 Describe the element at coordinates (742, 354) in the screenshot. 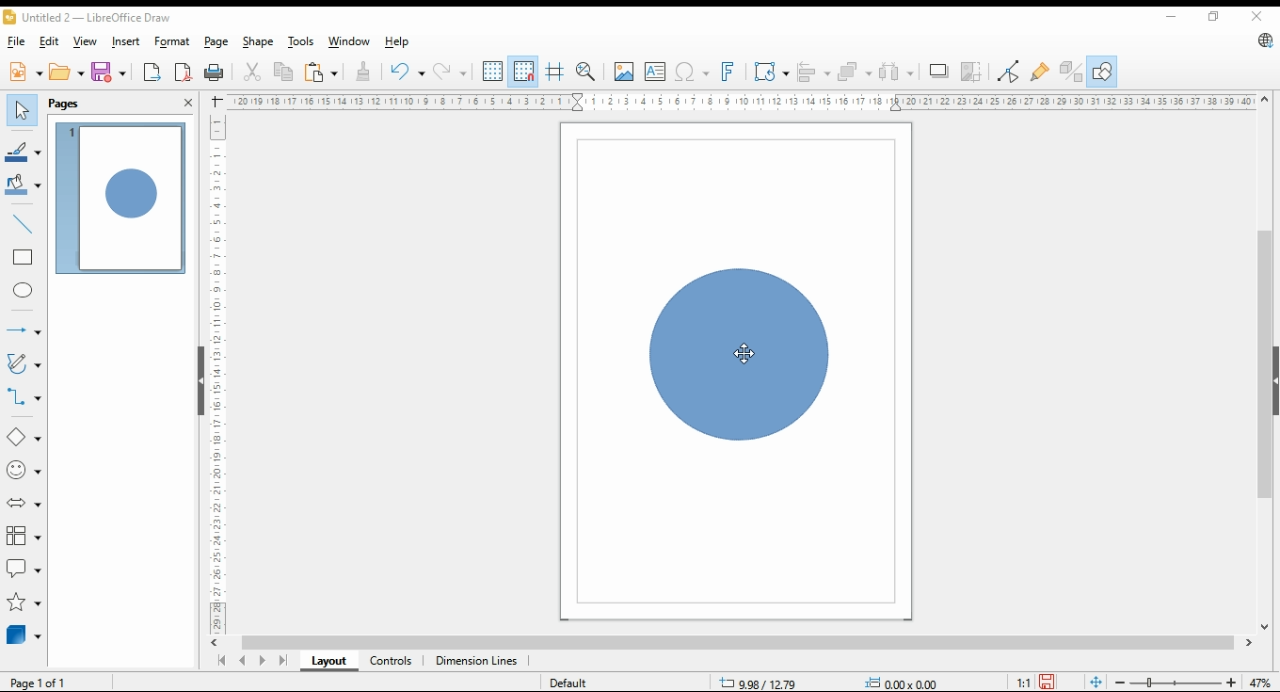

I see `mouse pointer` at that location.